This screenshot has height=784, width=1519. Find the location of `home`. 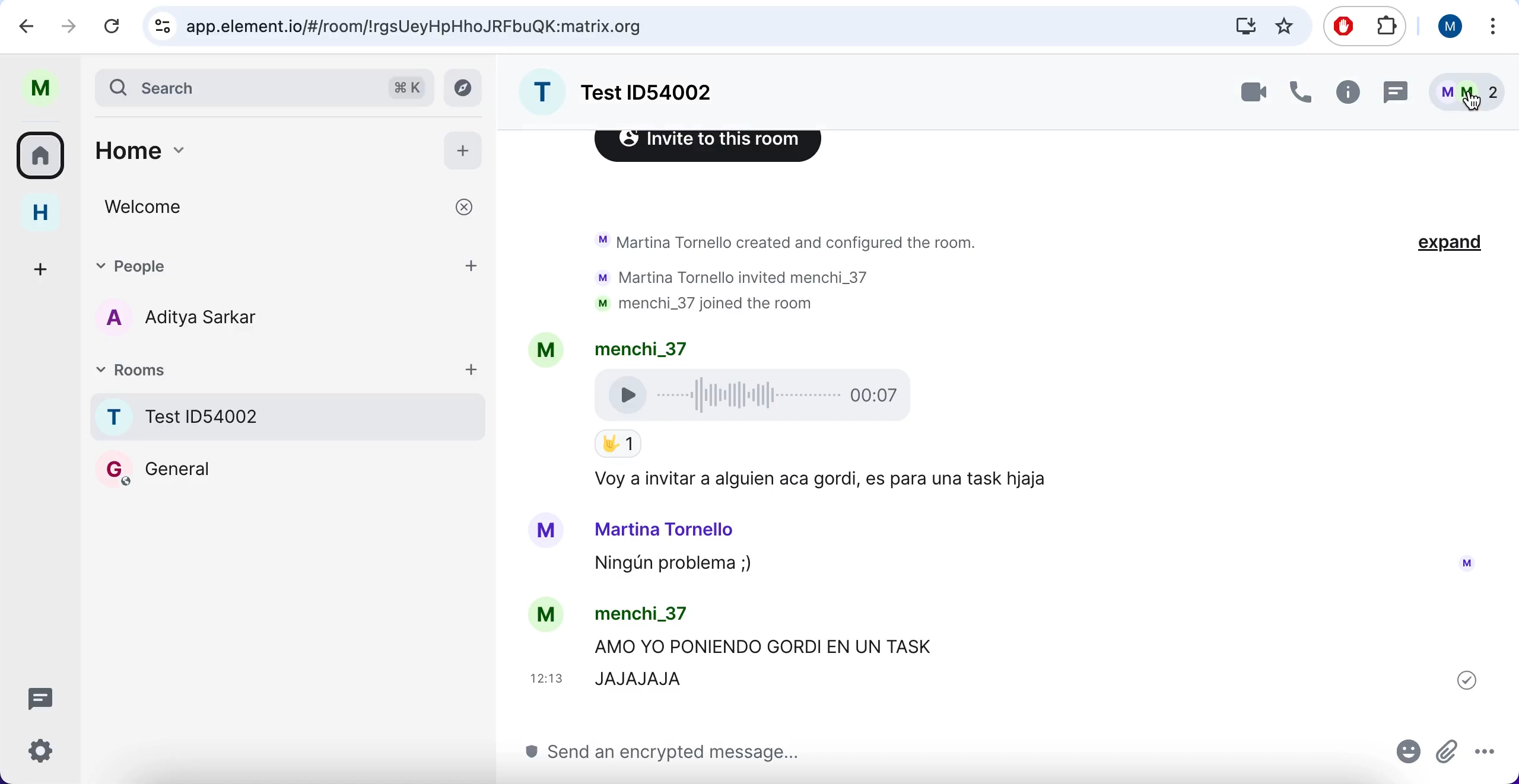

home is located at coordinates (41, 213).